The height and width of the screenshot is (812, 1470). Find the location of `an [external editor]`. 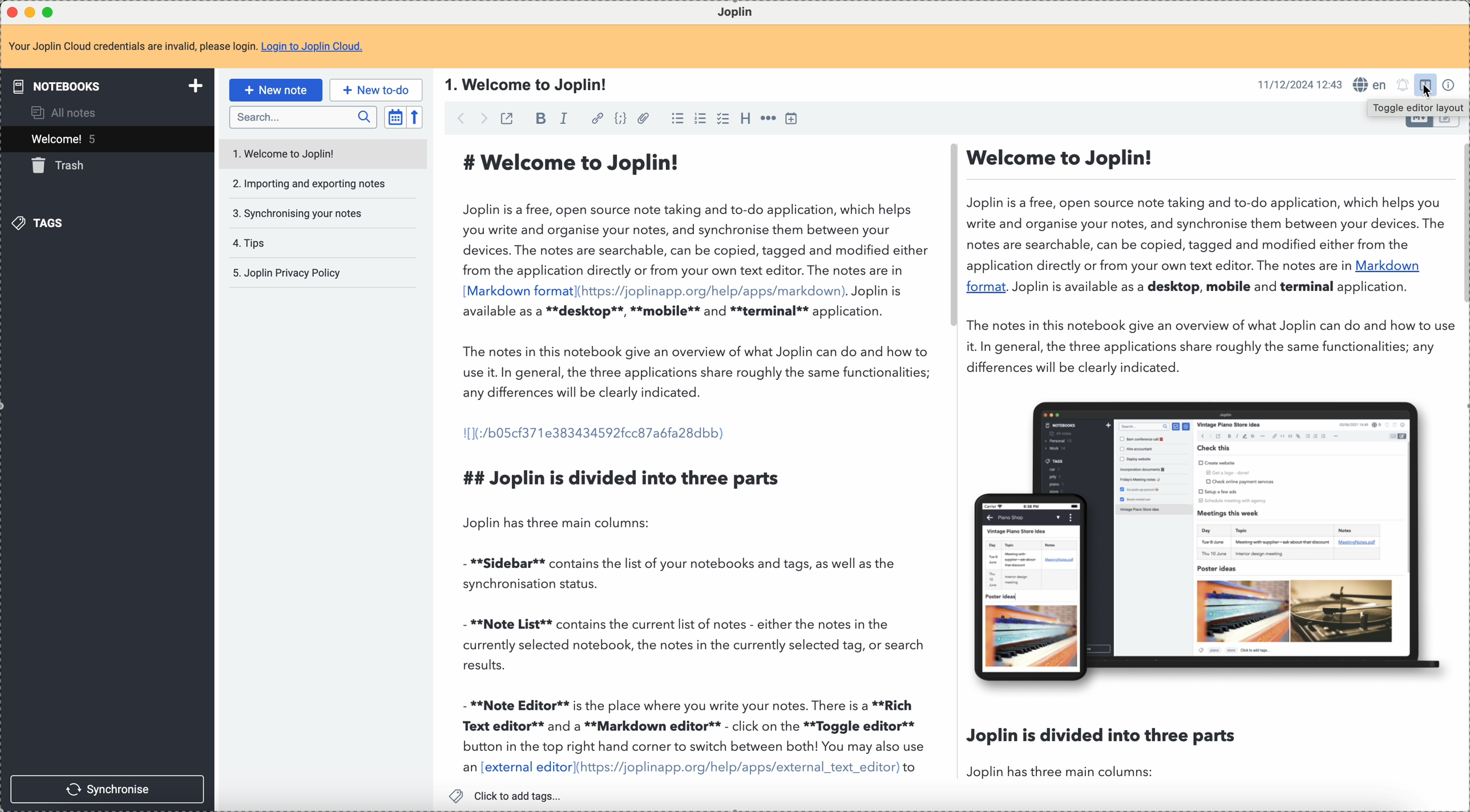

an [external editor] is located at coordinates (516, 767).